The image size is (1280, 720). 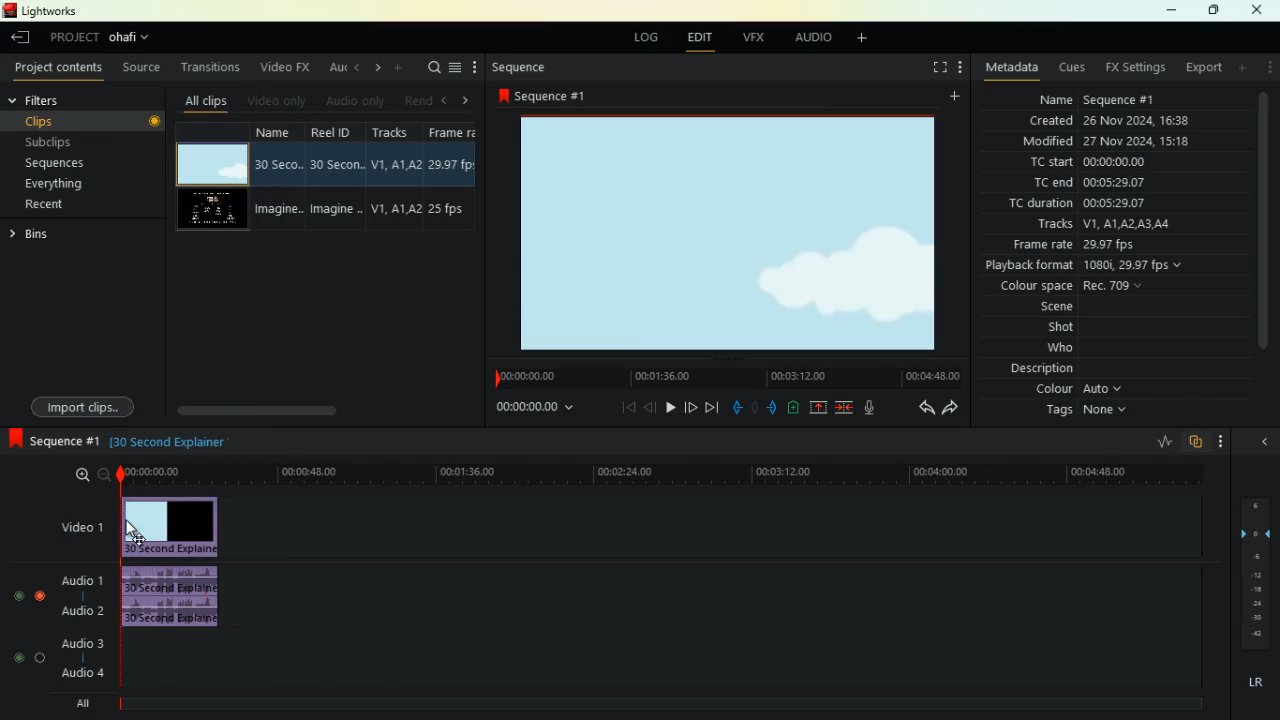 I want to click on back, so click(x=18, y=38).